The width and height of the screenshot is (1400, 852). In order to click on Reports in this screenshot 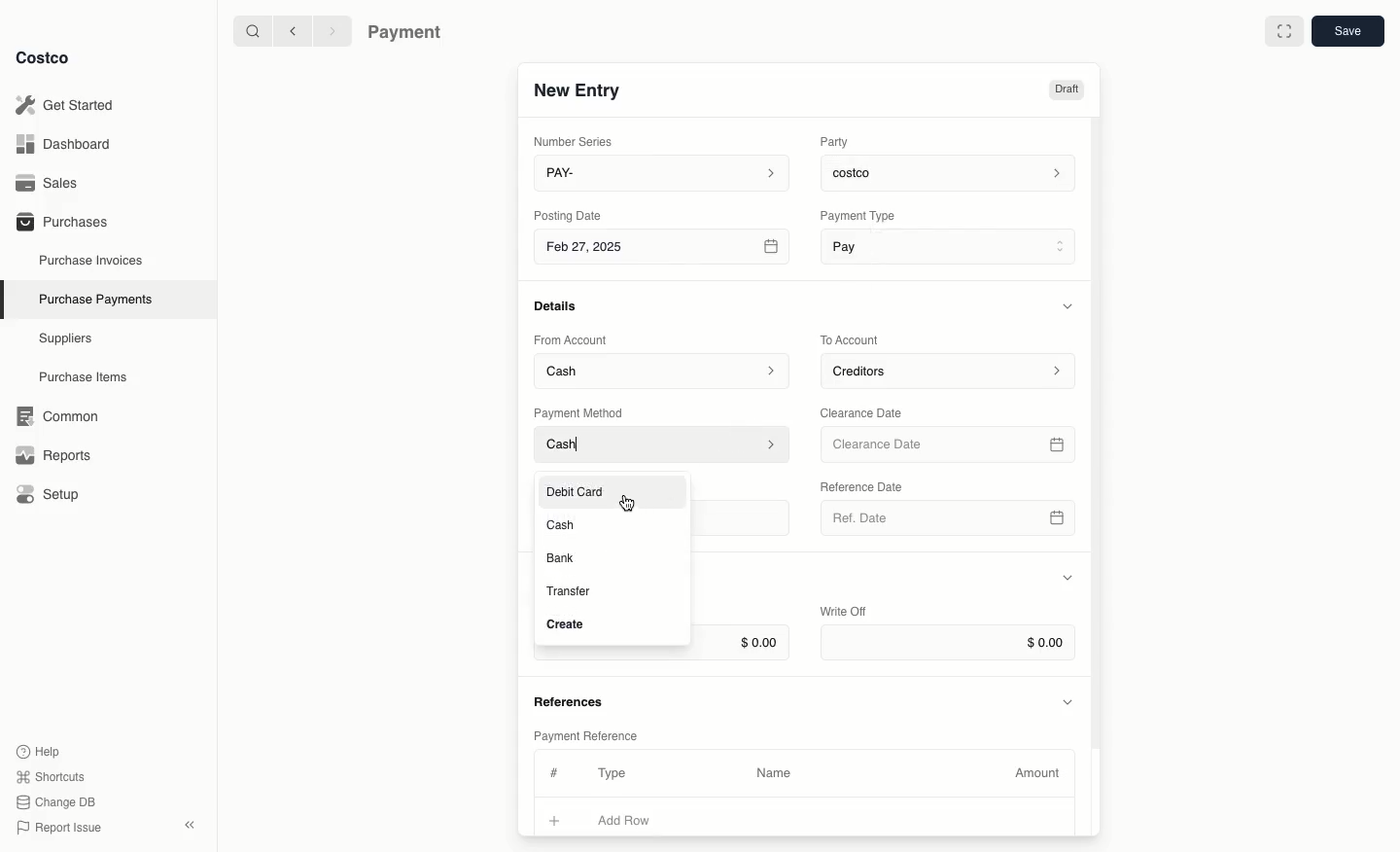, I will do `click(51, 452)`.